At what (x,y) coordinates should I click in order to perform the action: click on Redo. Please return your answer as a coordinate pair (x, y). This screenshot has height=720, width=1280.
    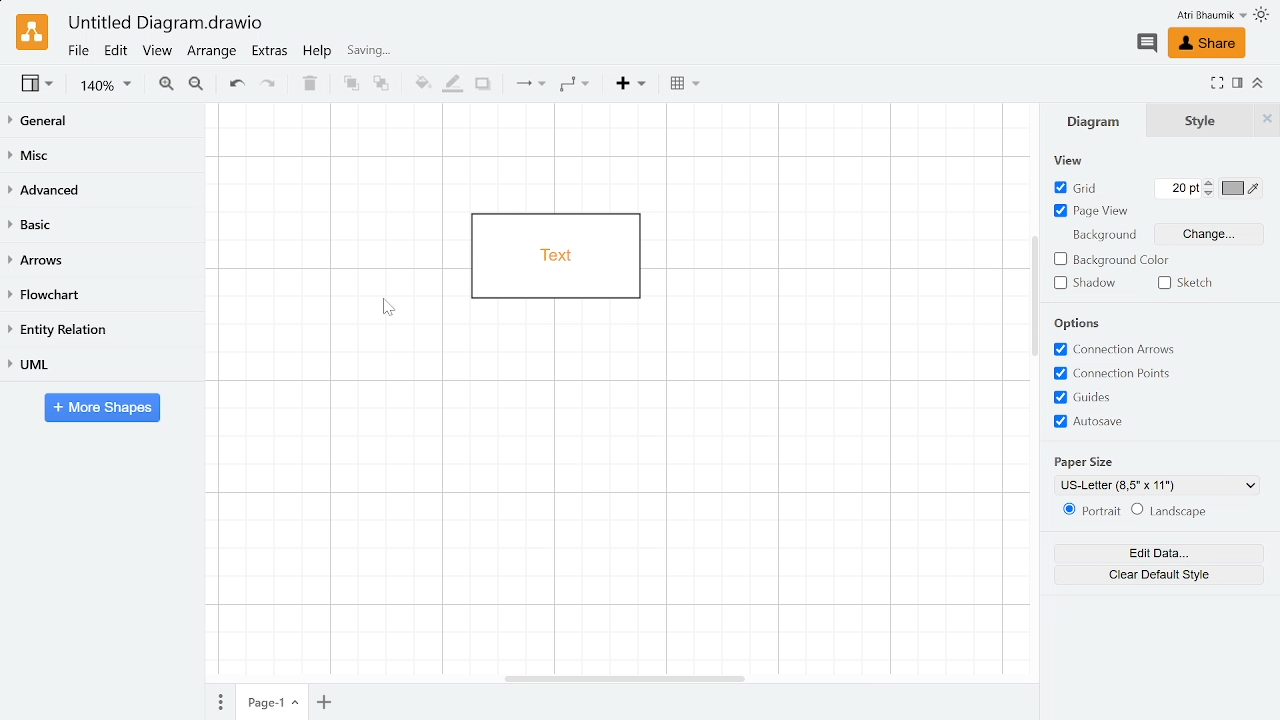
    Looking at the image, I should click on (274, 86).